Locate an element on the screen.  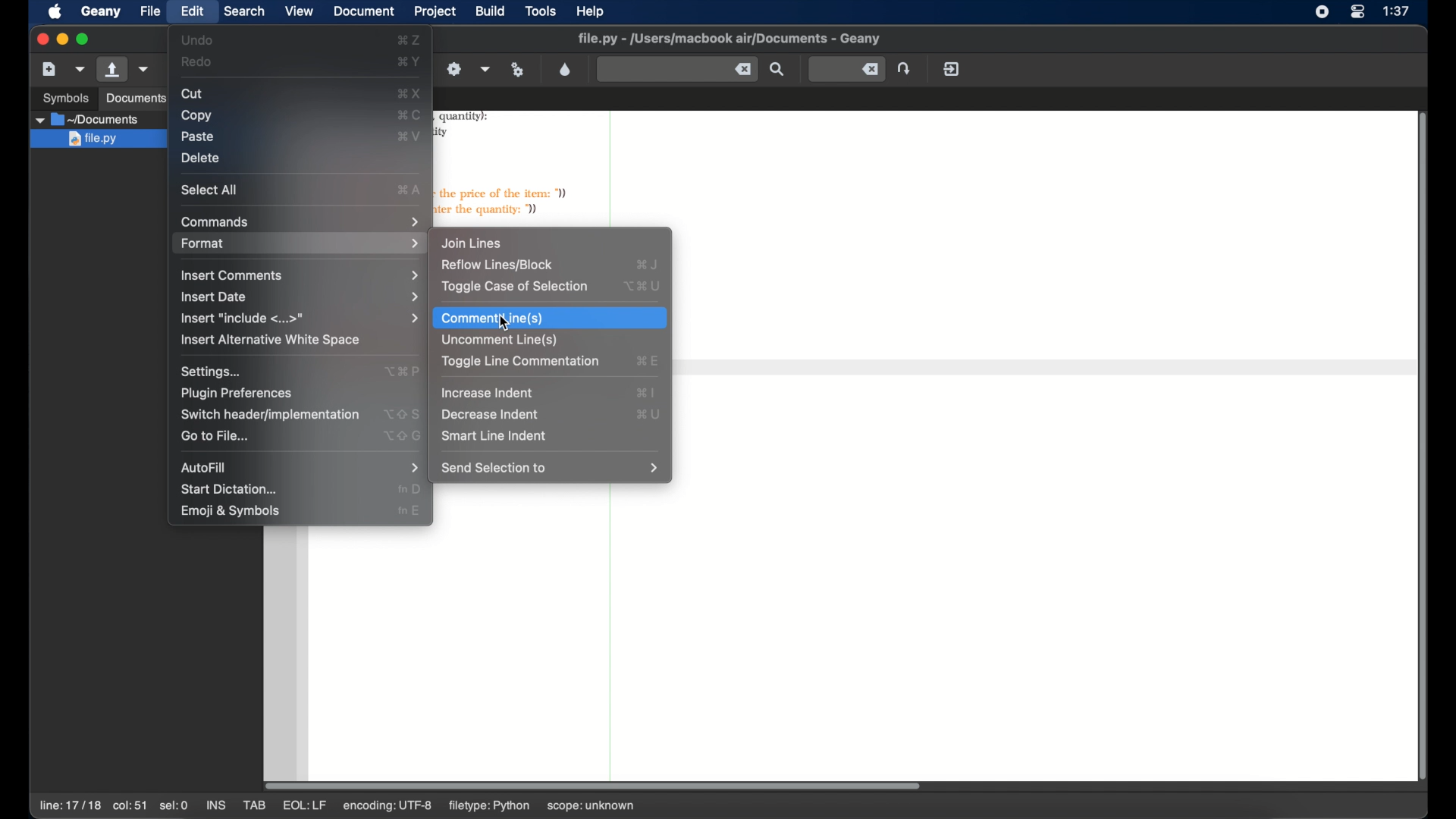
select all is located at coordinates (209, 190).